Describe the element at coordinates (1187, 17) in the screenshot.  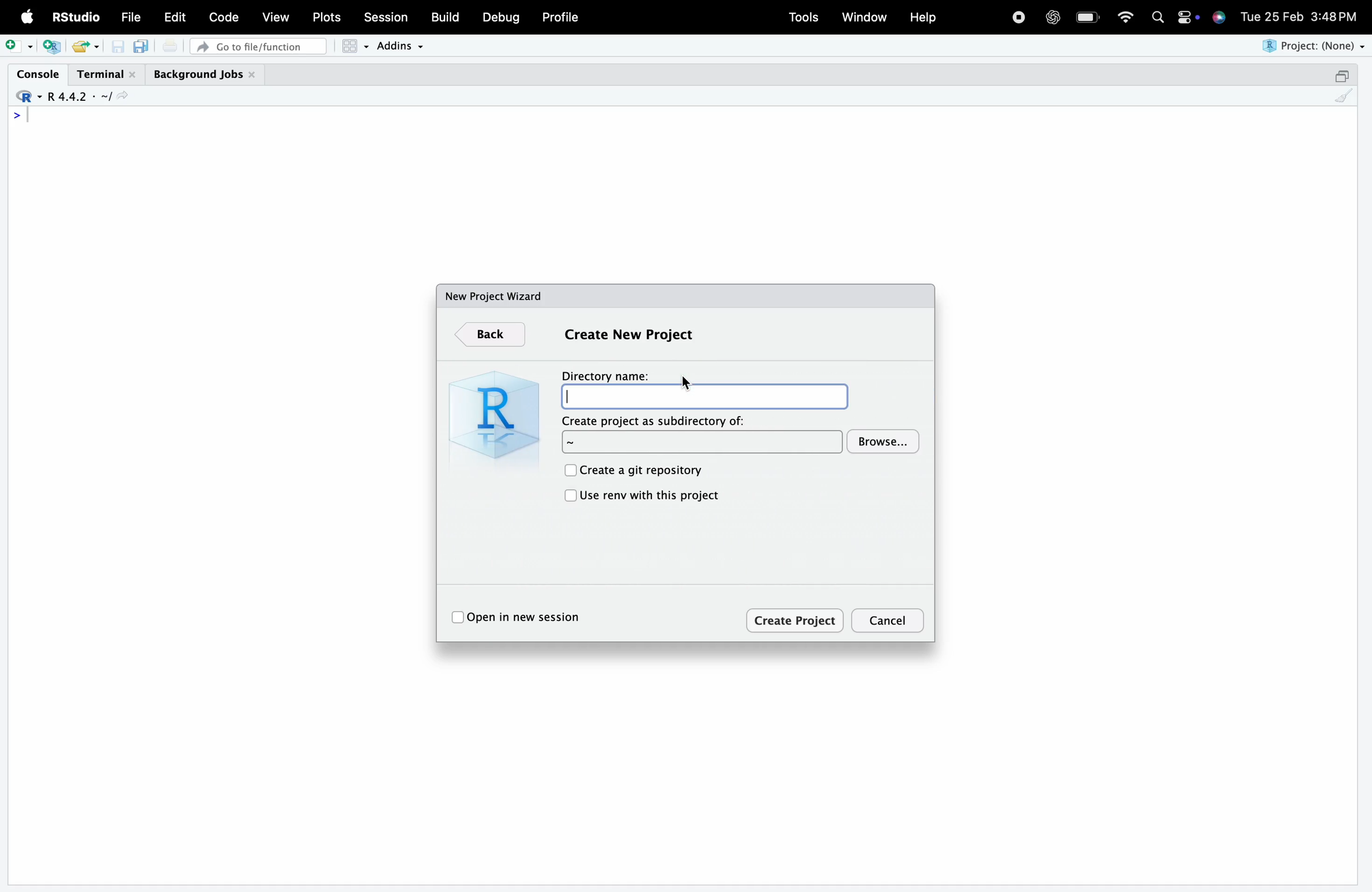
I see `settings` at that location.